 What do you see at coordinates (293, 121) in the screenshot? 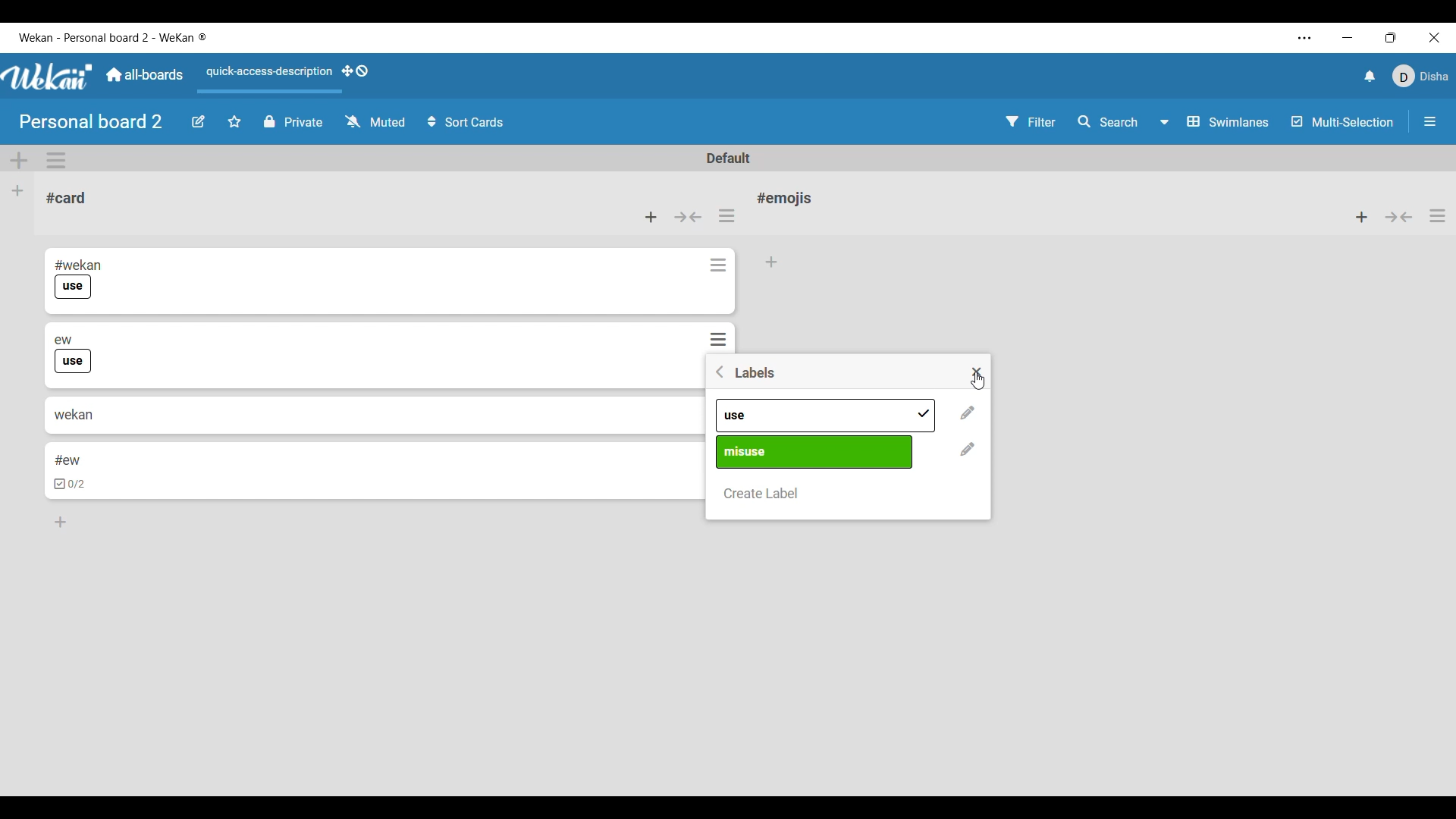
I see `Privacy status of current board` at bounding box center [293, 121].